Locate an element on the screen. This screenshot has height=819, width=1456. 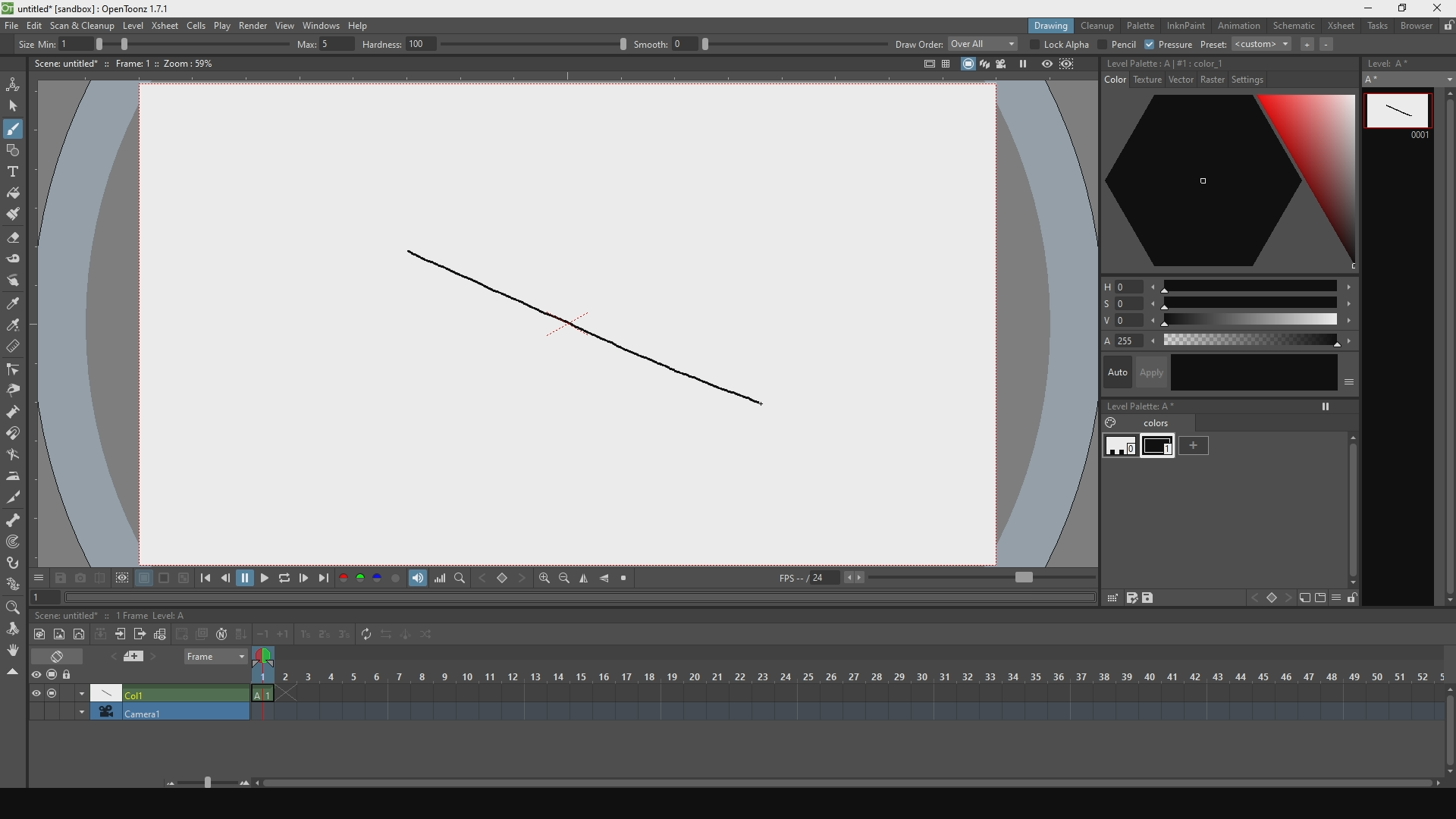
align vertically is located at coordinates (586, 578).